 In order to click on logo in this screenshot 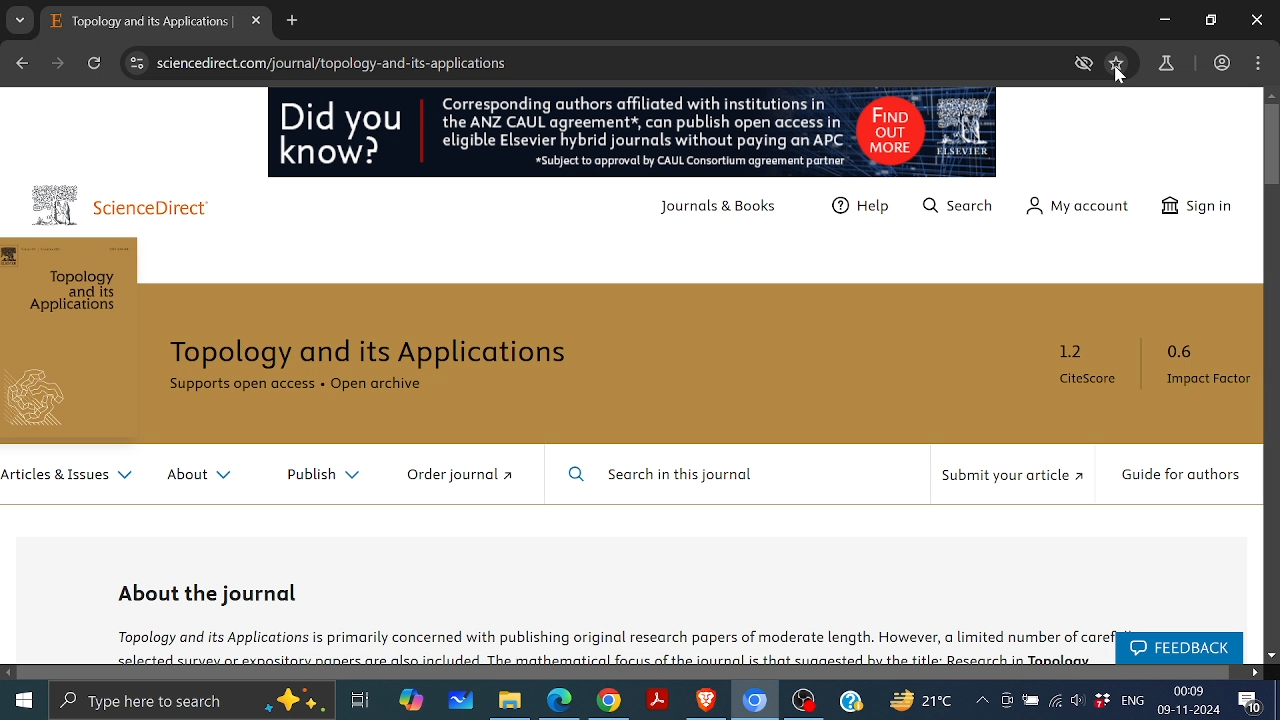, I will do `click(43, 401)`.